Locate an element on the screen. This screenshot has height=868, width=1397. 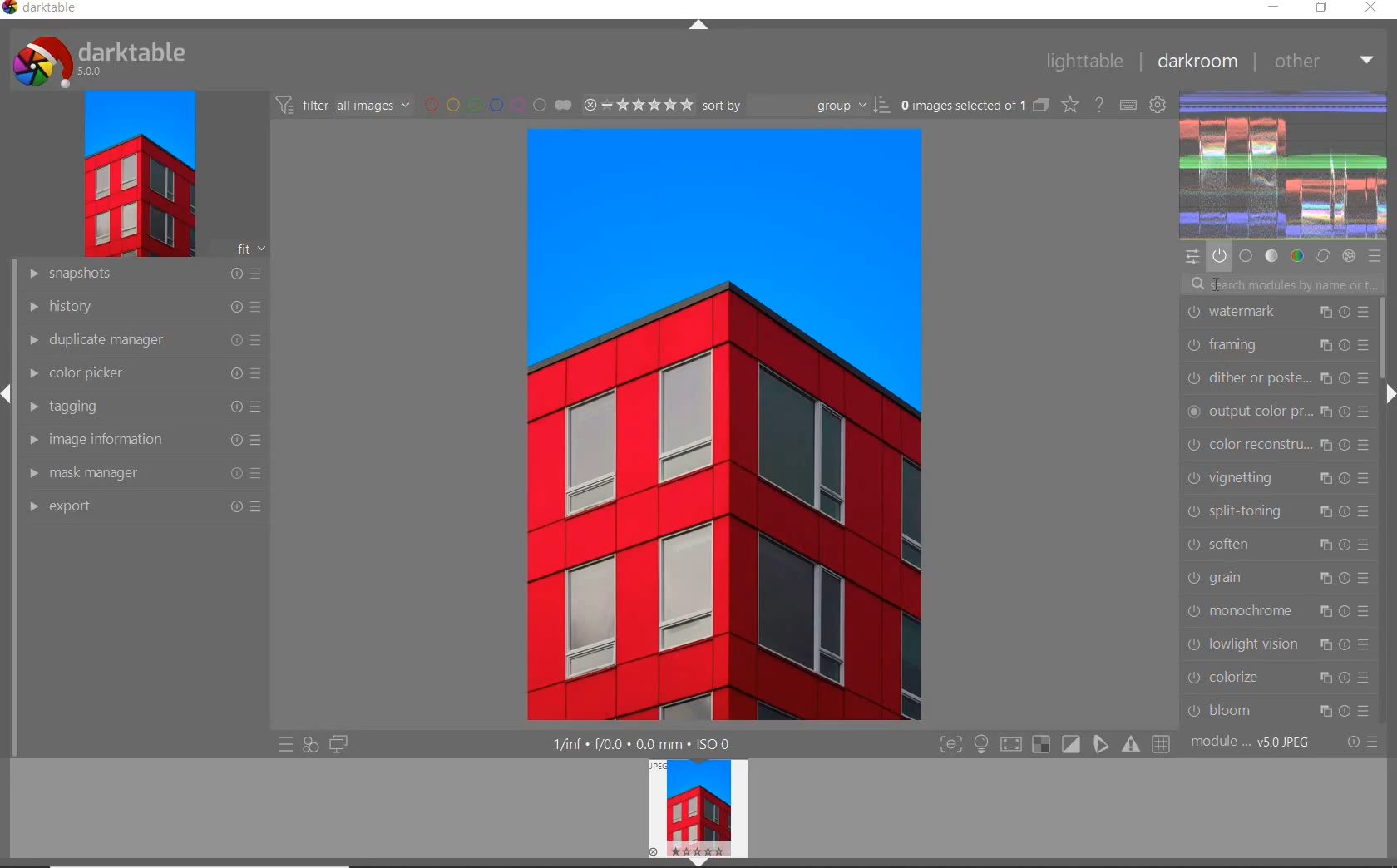
soften is located at coordinates (1279, 542).